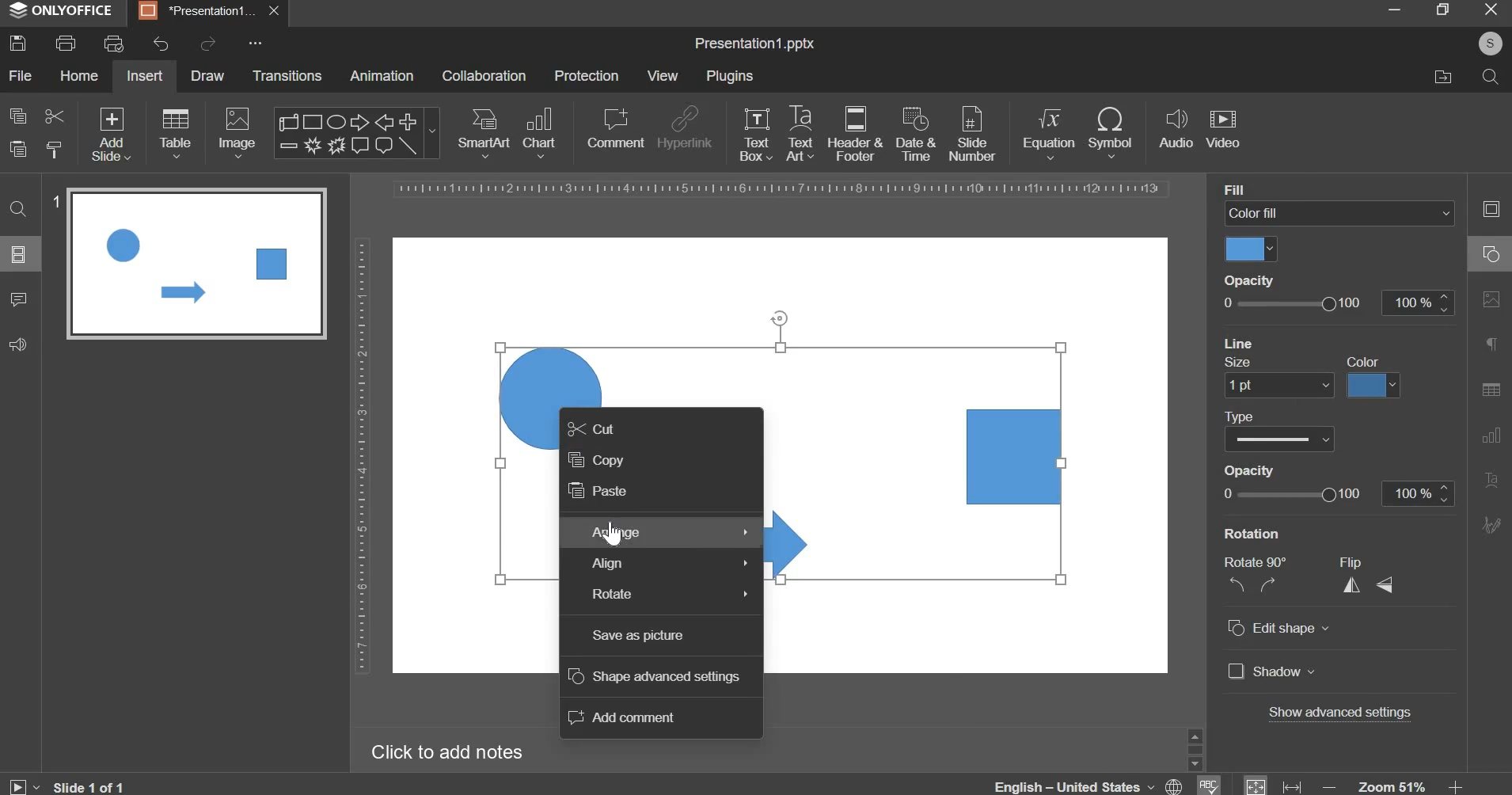 The image size is (1512, 795). What do you see at coordinates (596, 491) in the screenshot?
I see `paste` at bounding box center [596, 491].